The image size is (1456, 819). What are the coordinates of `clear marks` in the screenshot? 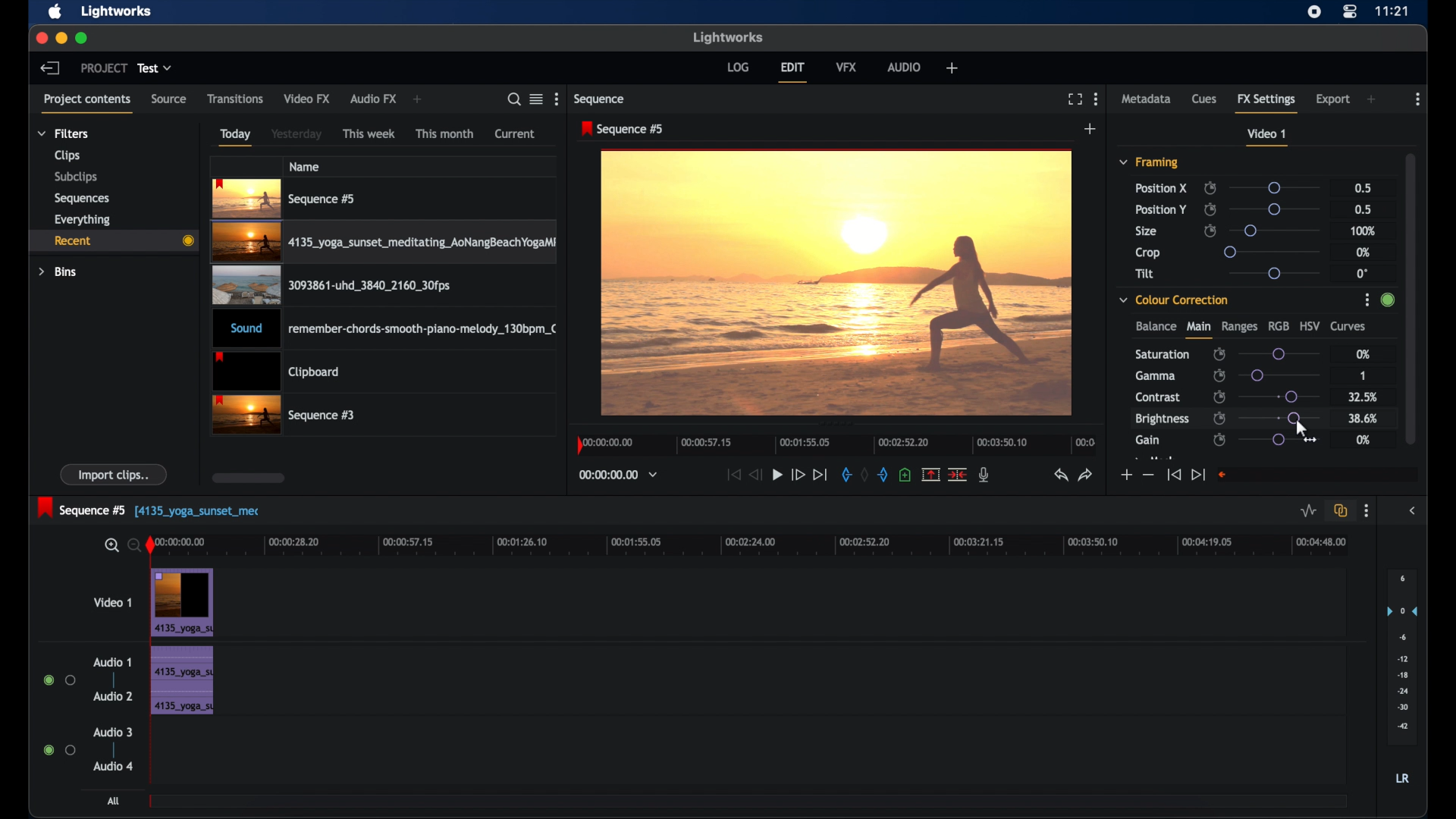 It's located at (864, 475).